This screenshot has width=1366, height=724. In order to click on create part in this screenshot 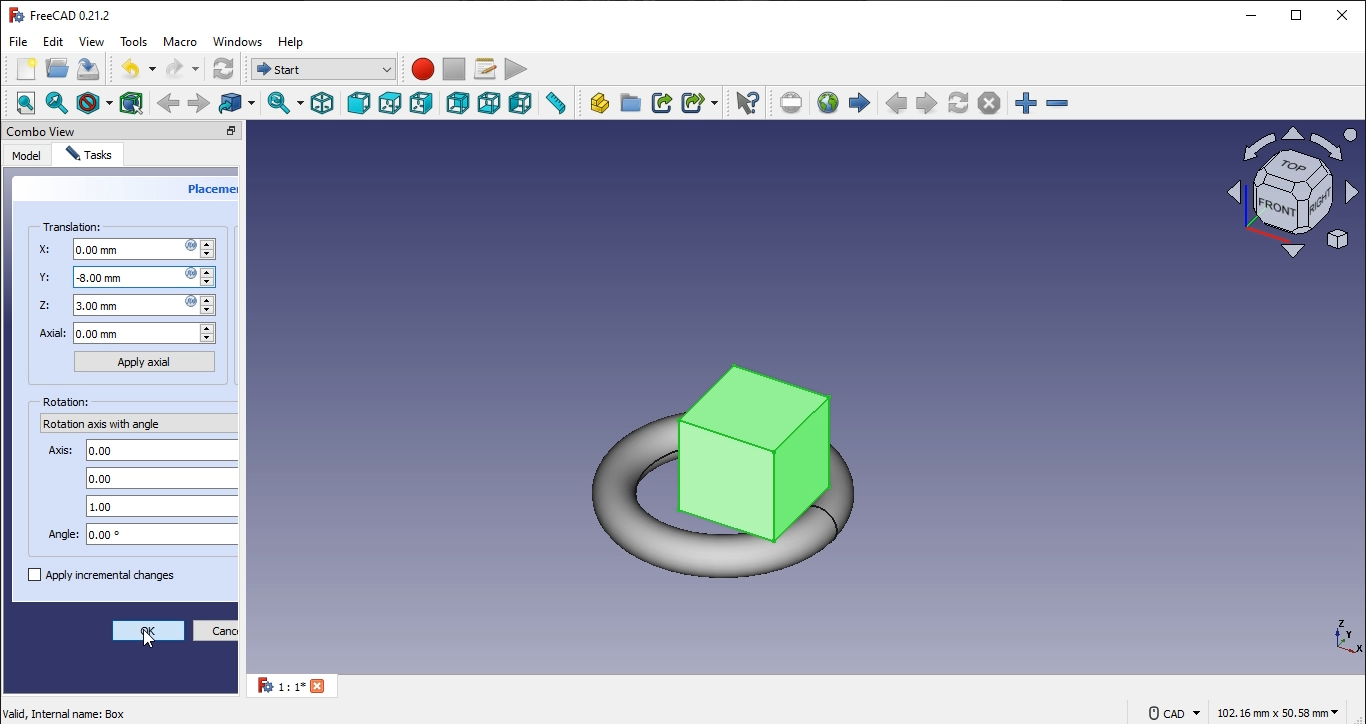, I will do `click(598, 104)`.